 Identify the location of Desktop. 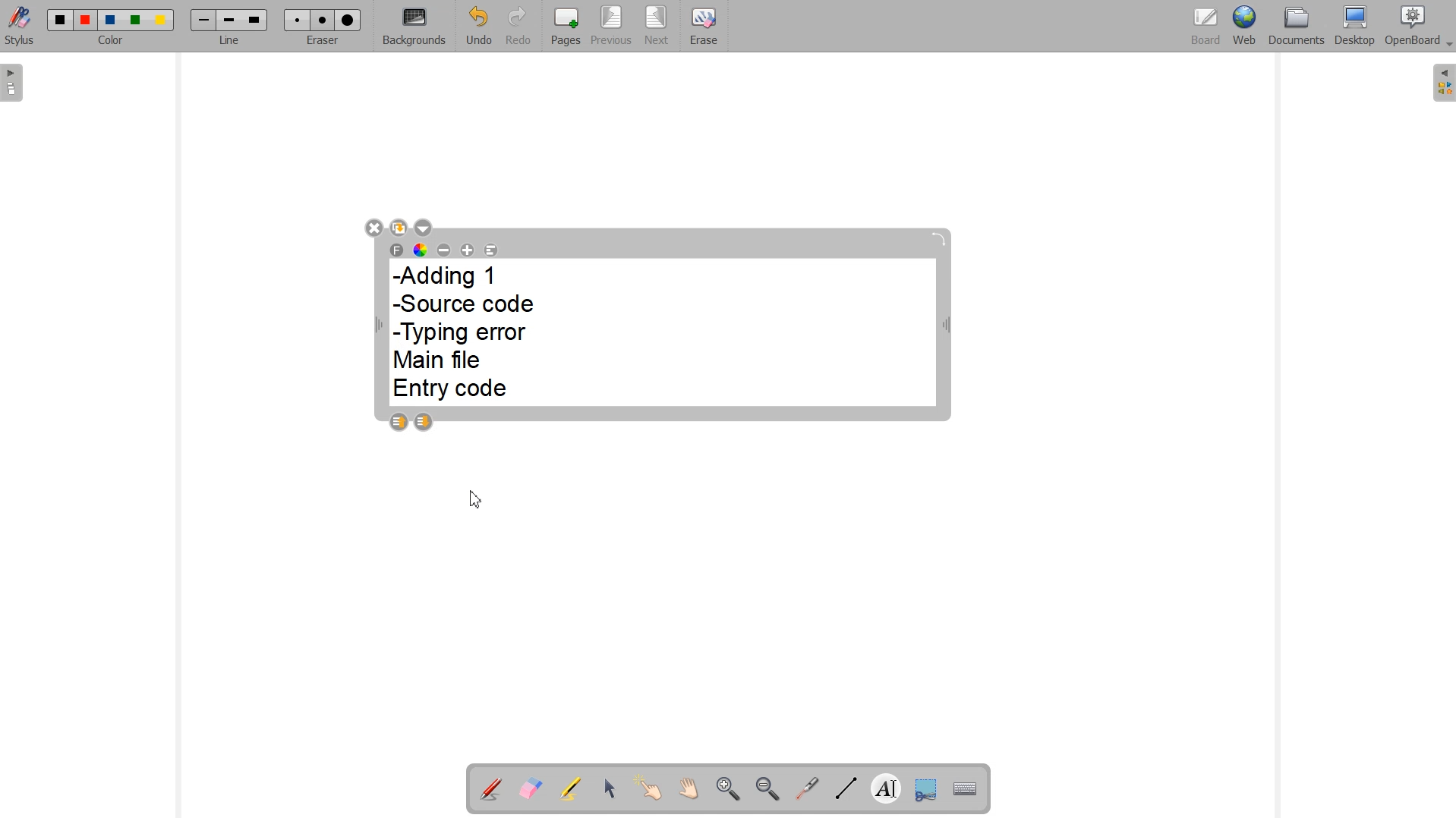
(1355, 27).